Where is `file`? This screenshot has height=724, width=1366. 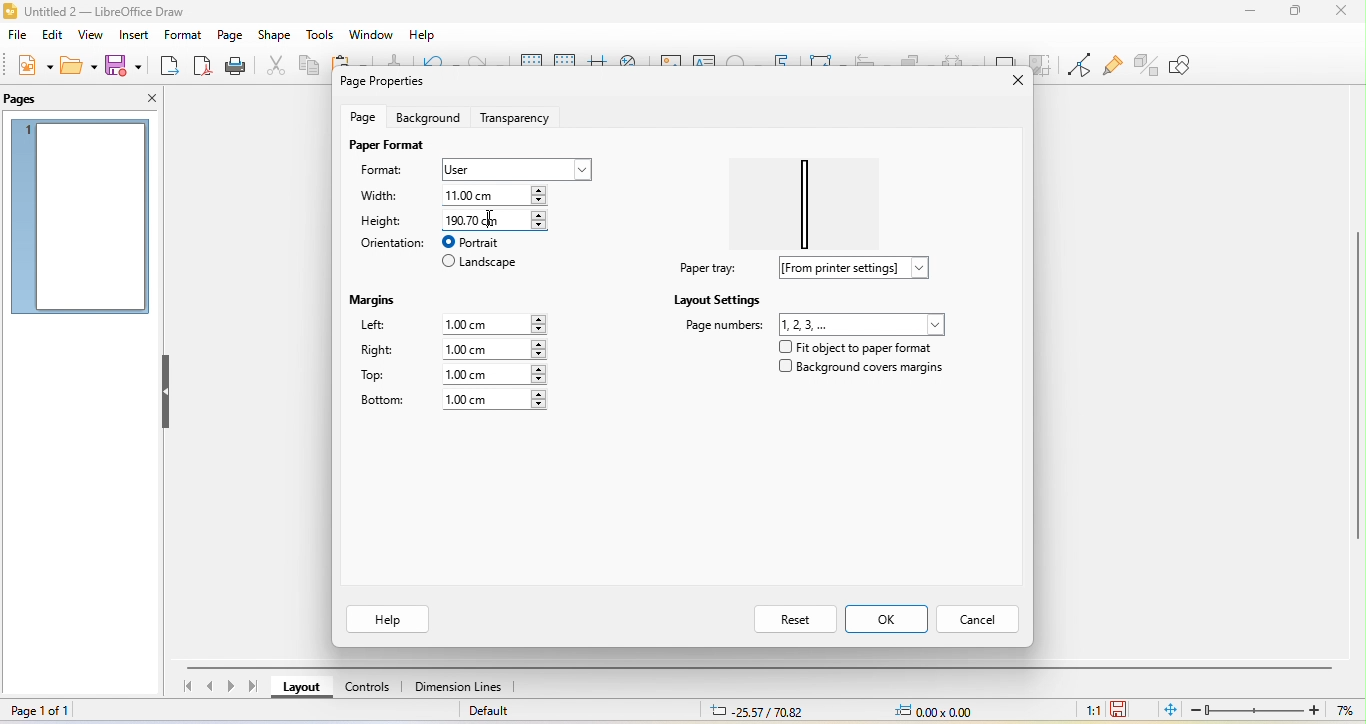 file is located at coordinates (17, 37).